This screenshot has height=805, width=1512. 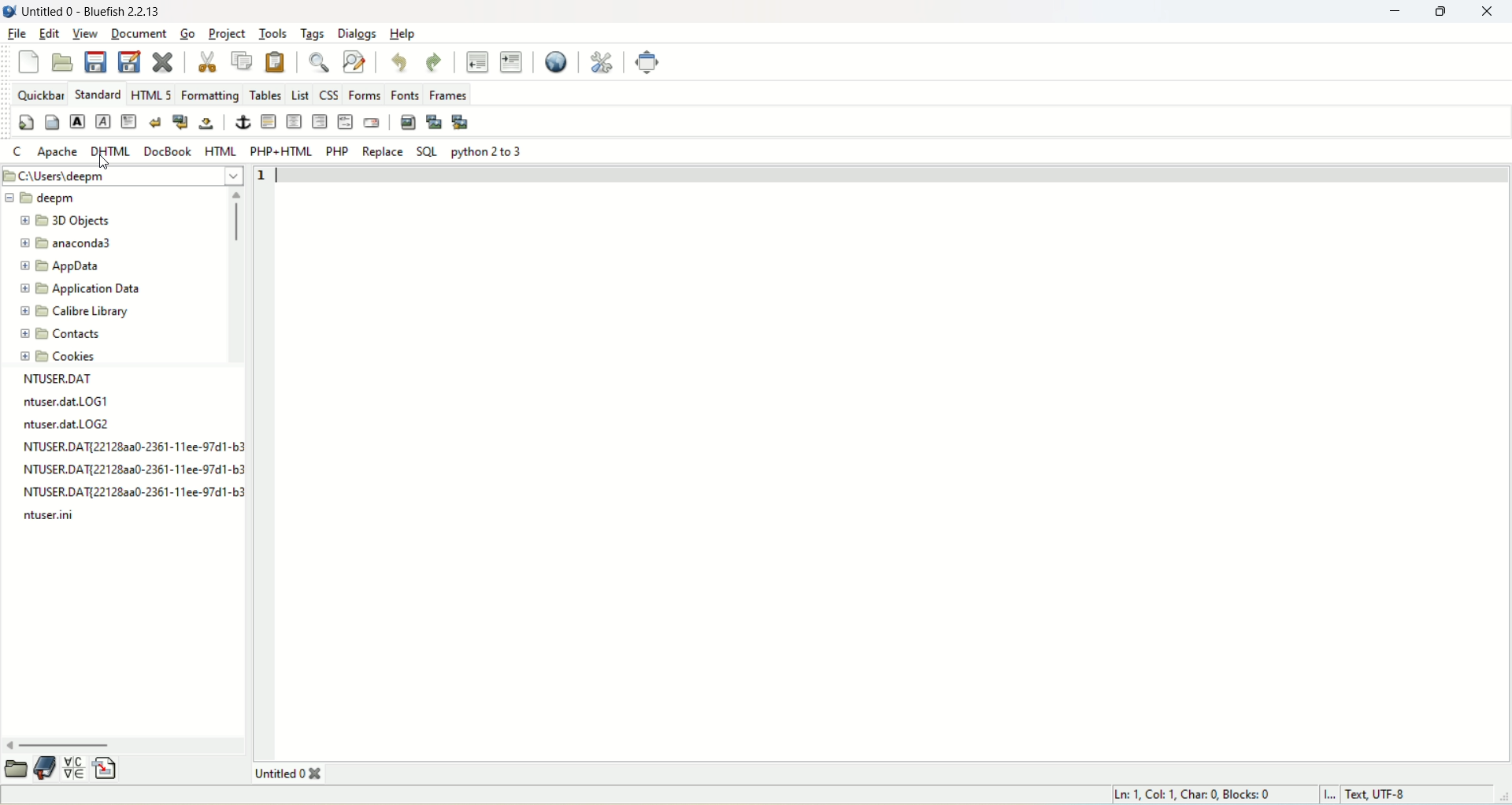 What do you see at coordinates (408, 94) in the screenshot?
I see `fonts` at bounding box center [408, 94].